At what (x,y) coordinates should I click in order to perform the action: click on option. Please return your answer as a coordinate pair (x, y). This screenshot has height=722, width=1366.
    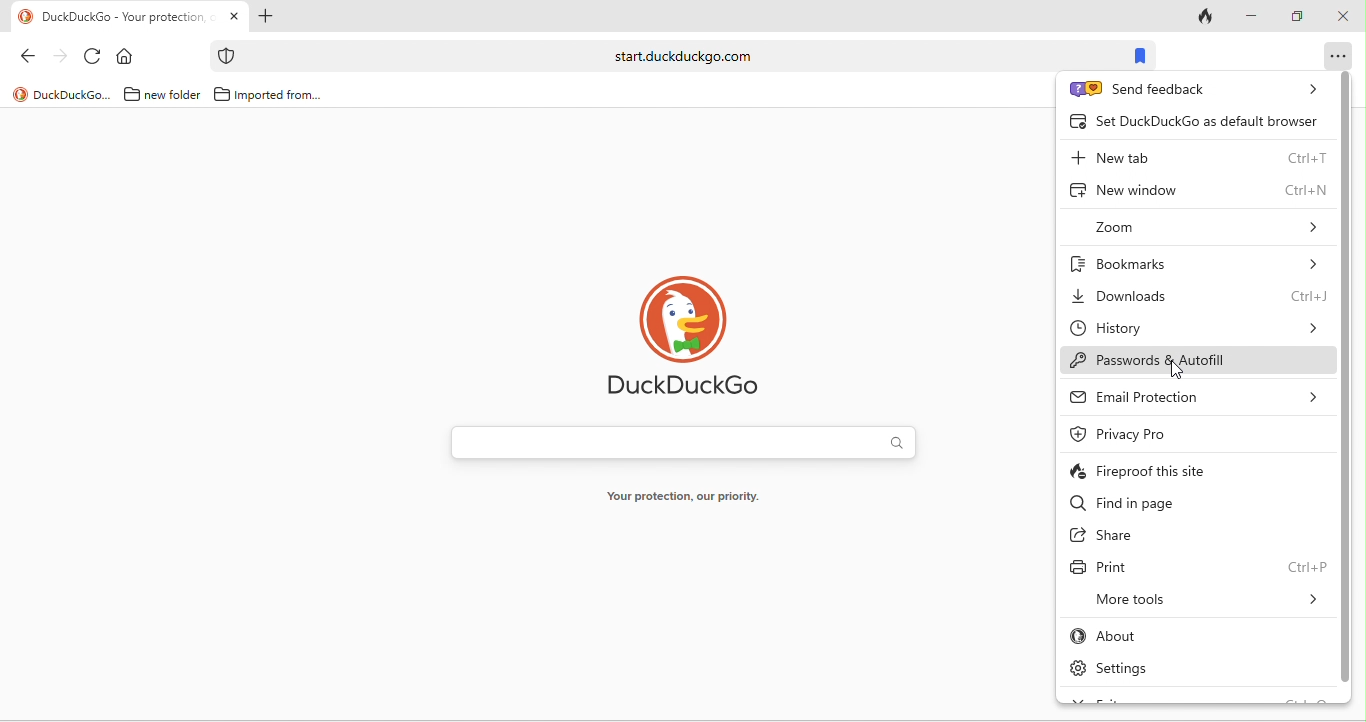
    Looking at the image, I should click on (1343, 58).